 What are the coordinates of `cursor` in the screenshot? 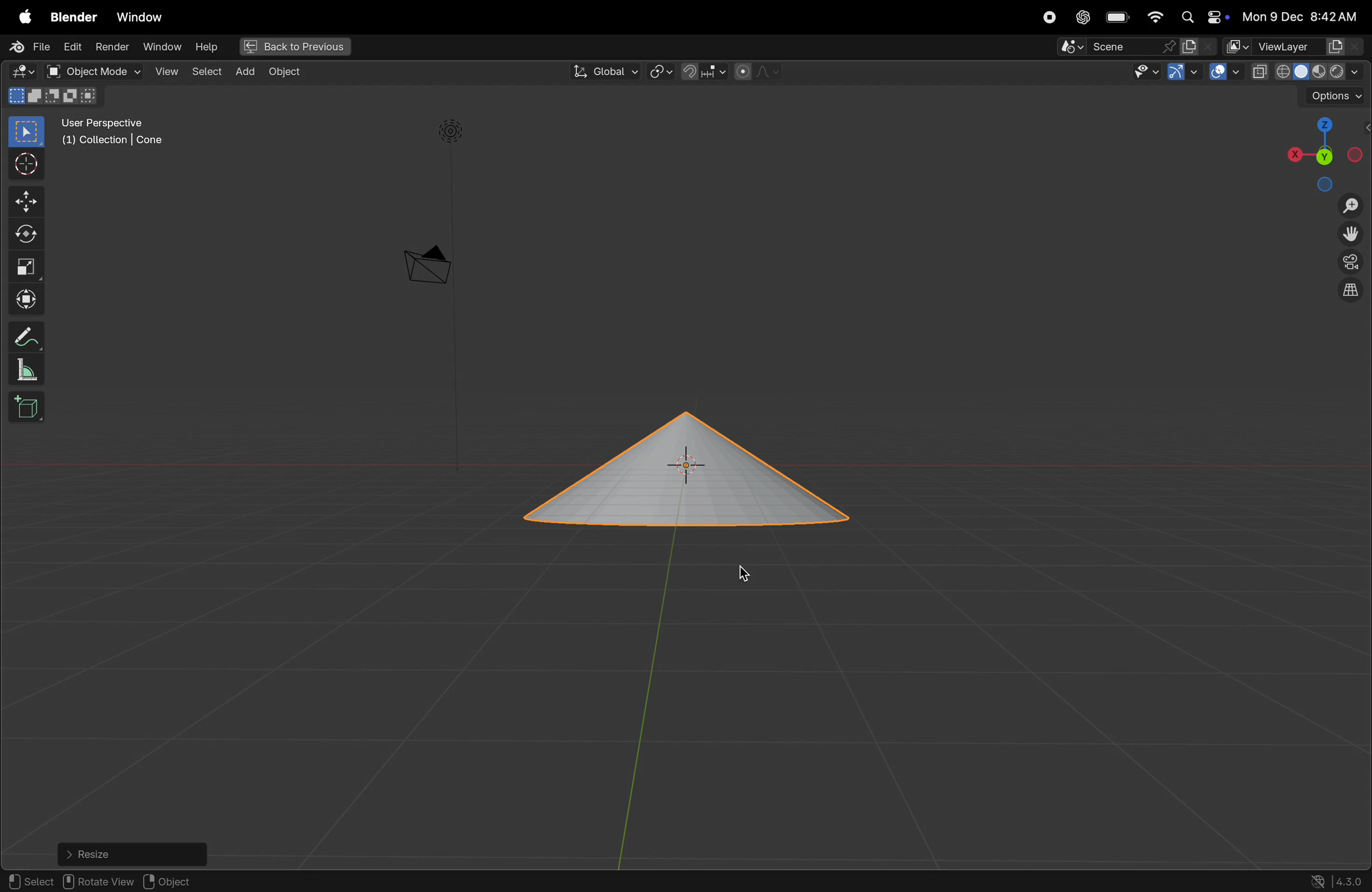 It's located at (748, 570).